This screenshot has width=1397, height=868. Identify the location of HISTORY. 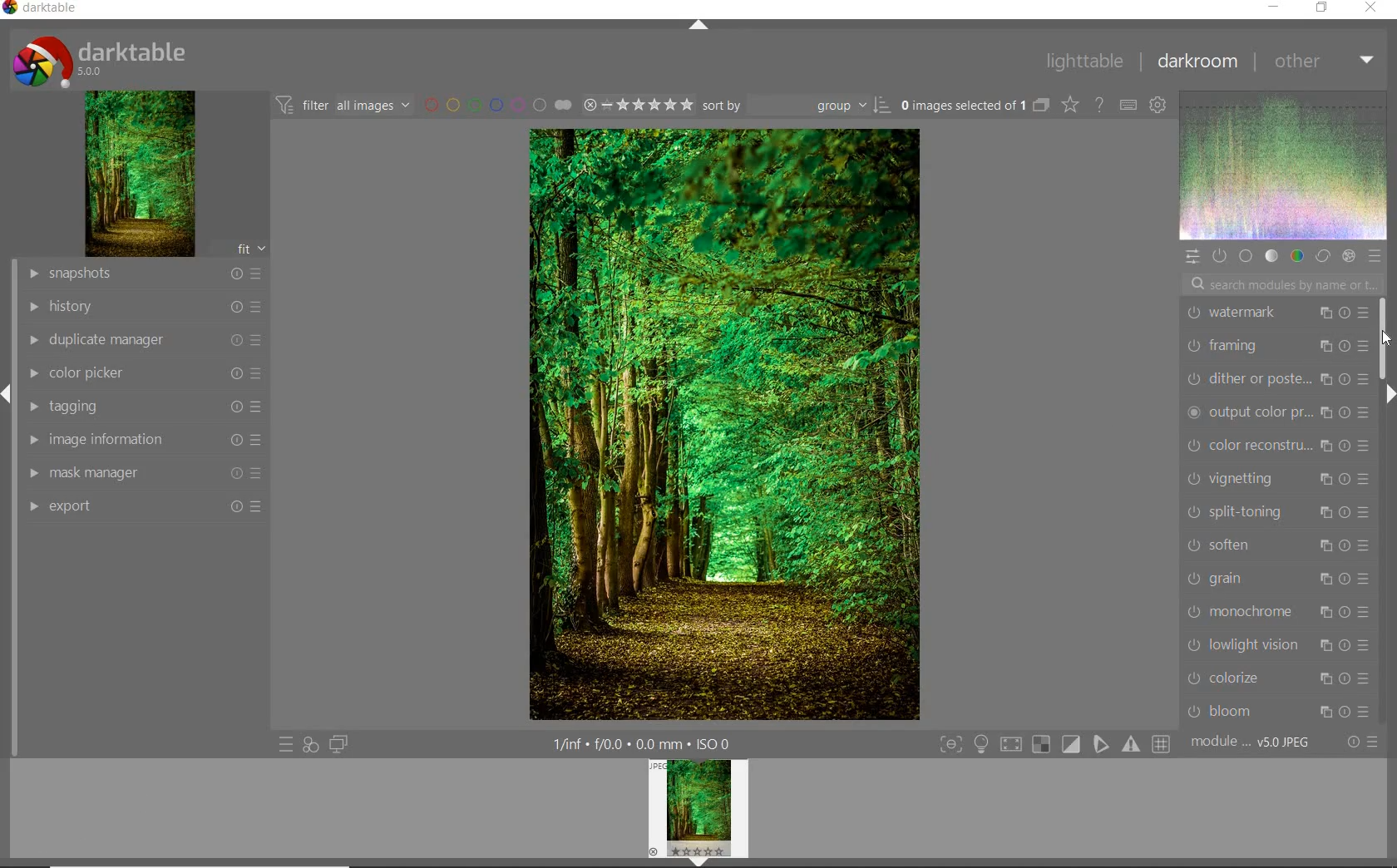
(141, 308).